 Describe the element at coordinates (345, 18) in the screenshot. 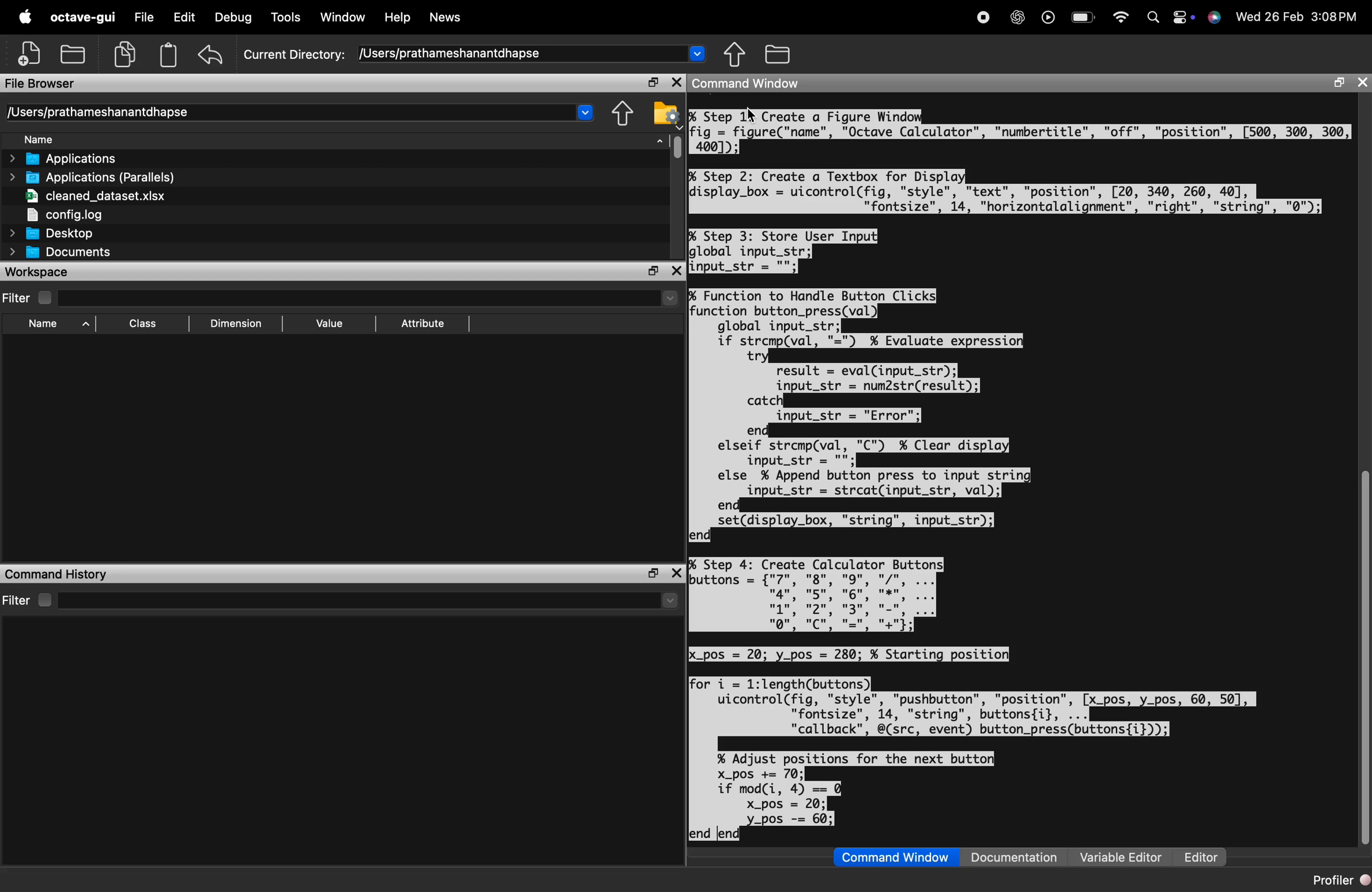

I see `Window` at that location.